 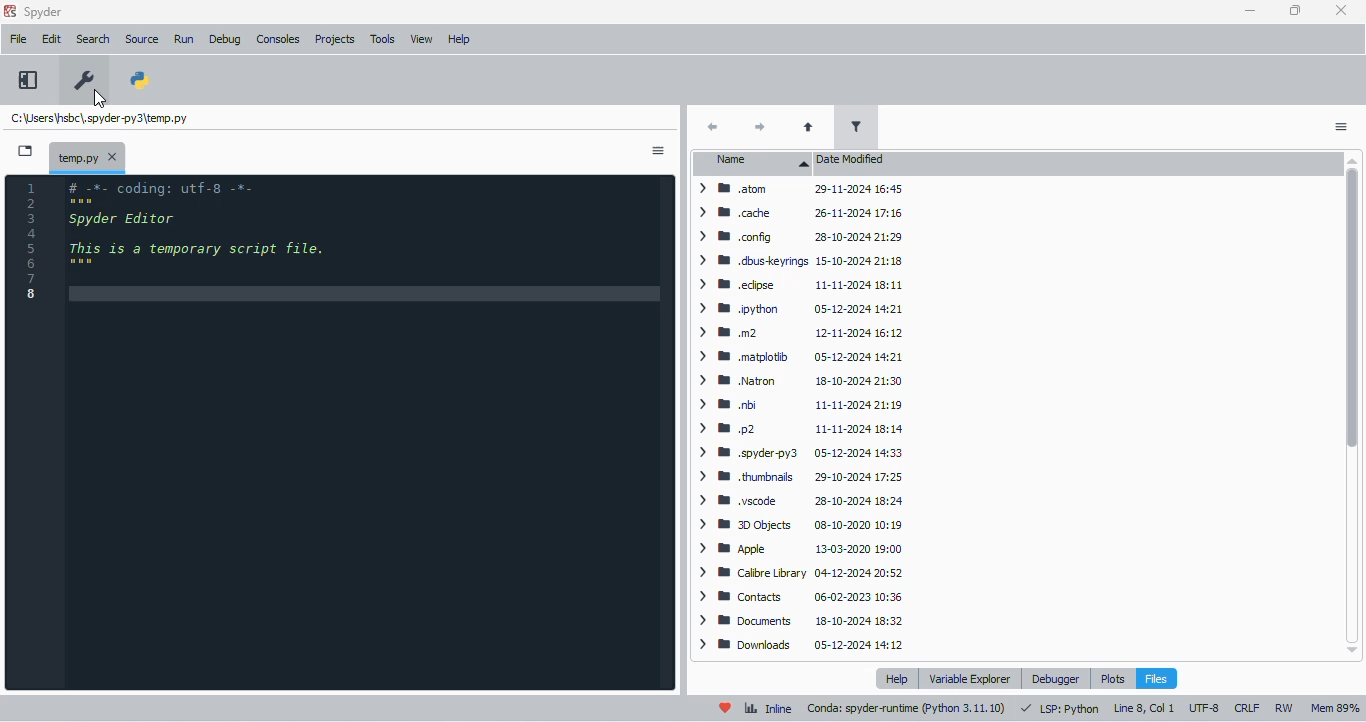 I want to click on line numbers, so click(x=32, y=241).